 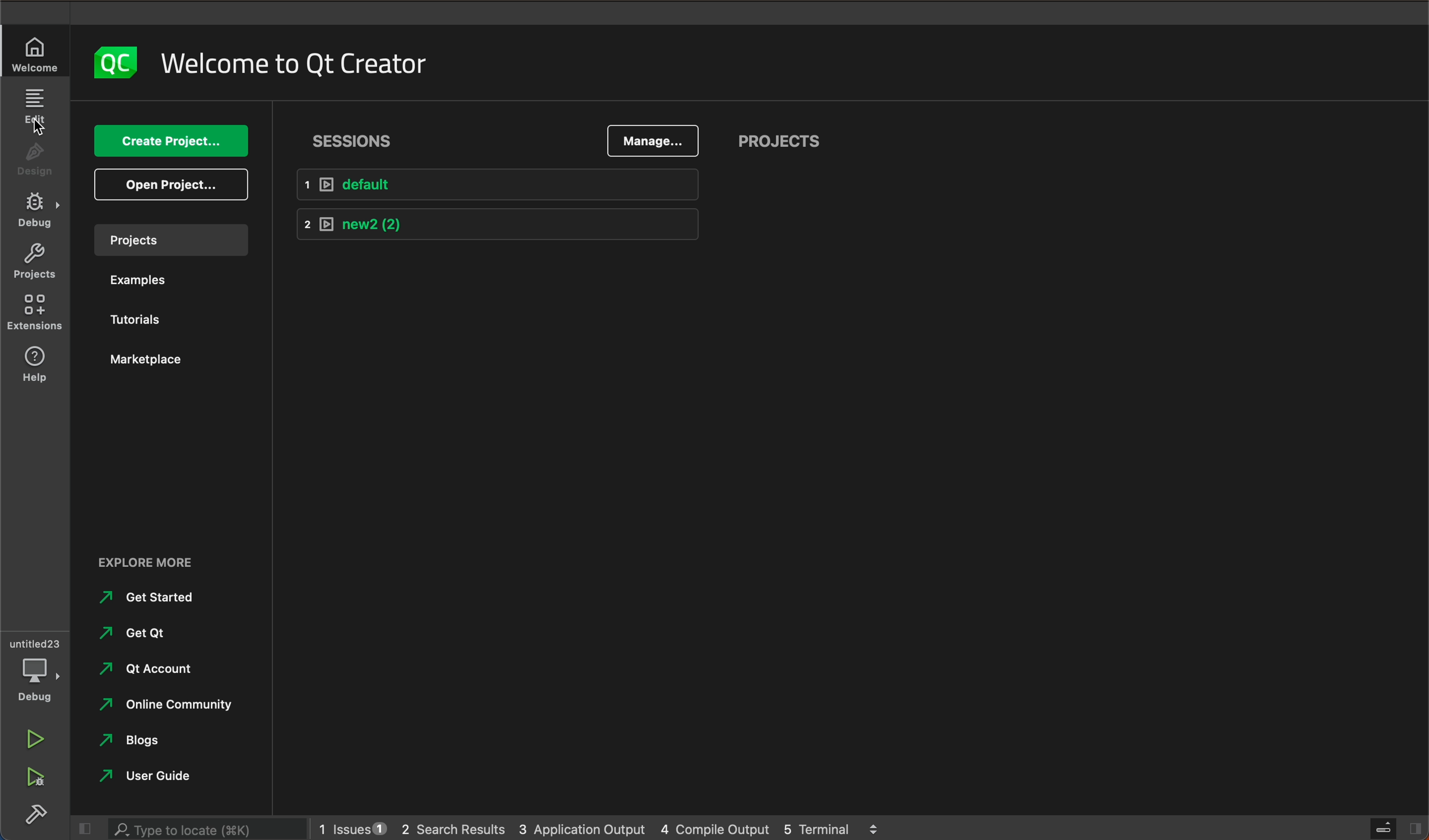 What do you see at coordinates (164, 317) in the screenshot?
I see `tutorials` at bounding box center [164, 317].